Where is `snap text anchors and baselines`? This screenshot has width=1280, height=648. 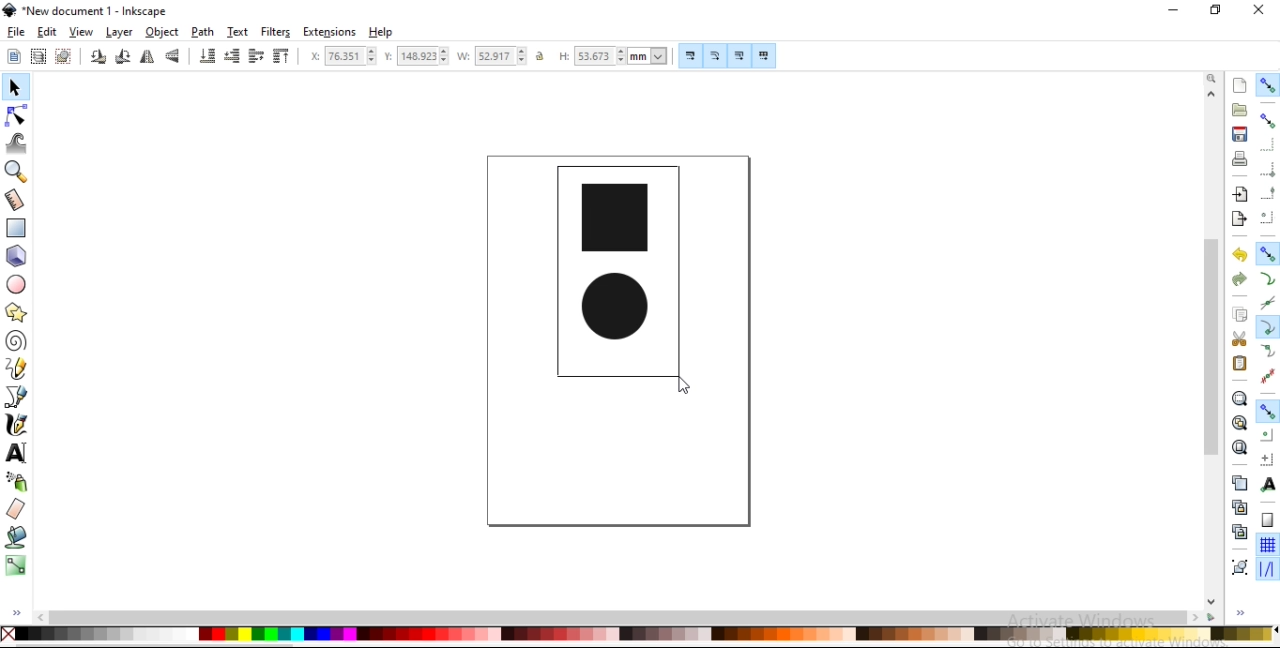
snap text anchors and baselines is located at coordinates (1268, 483).